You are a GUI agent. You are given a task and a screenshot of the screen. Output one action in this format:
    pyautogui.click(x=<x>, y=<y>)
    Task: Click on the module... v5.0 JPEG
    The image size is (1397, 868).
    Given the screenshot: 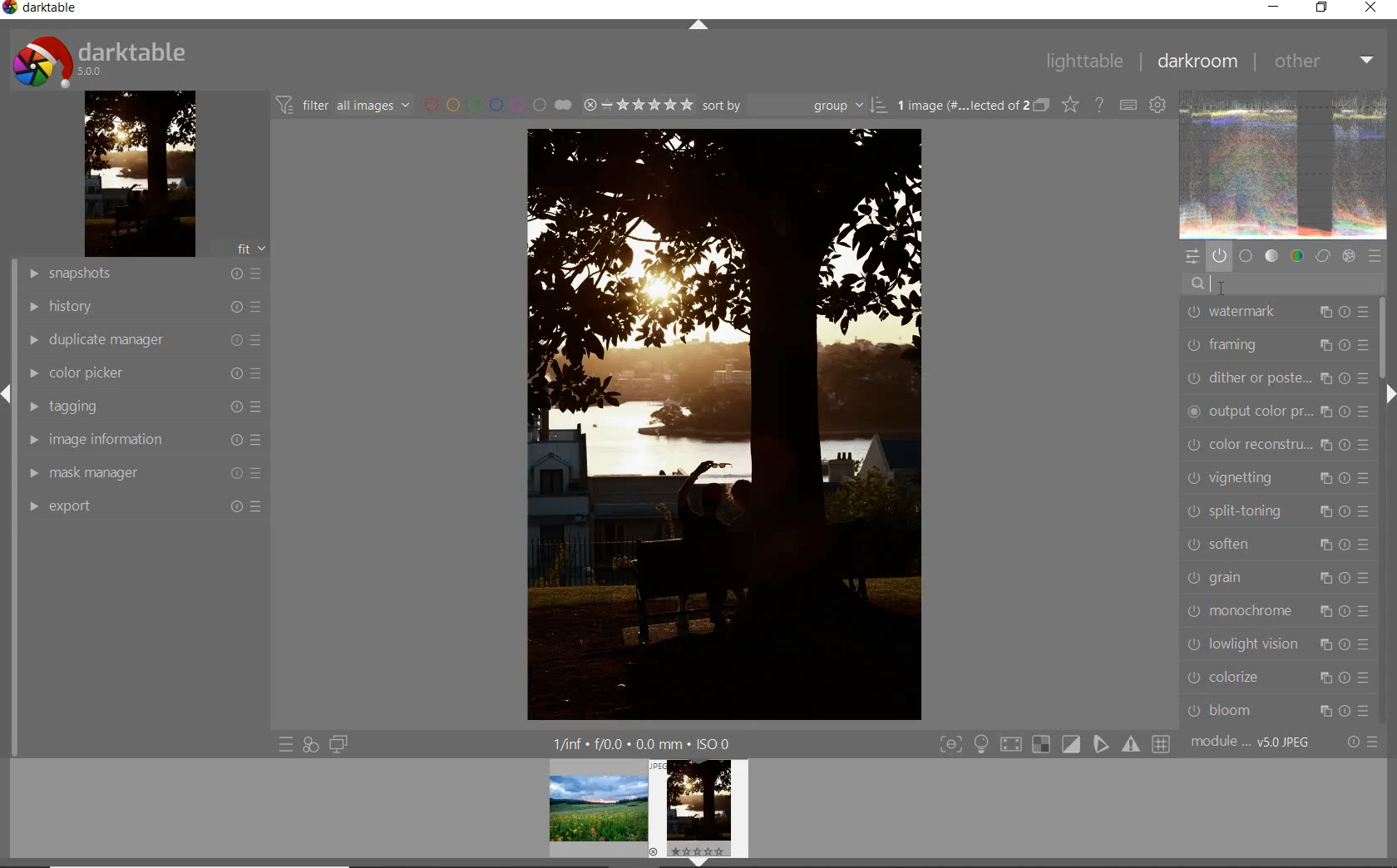 What is the action you would take?
    pyautogui.click(x=1253, y=742)
    